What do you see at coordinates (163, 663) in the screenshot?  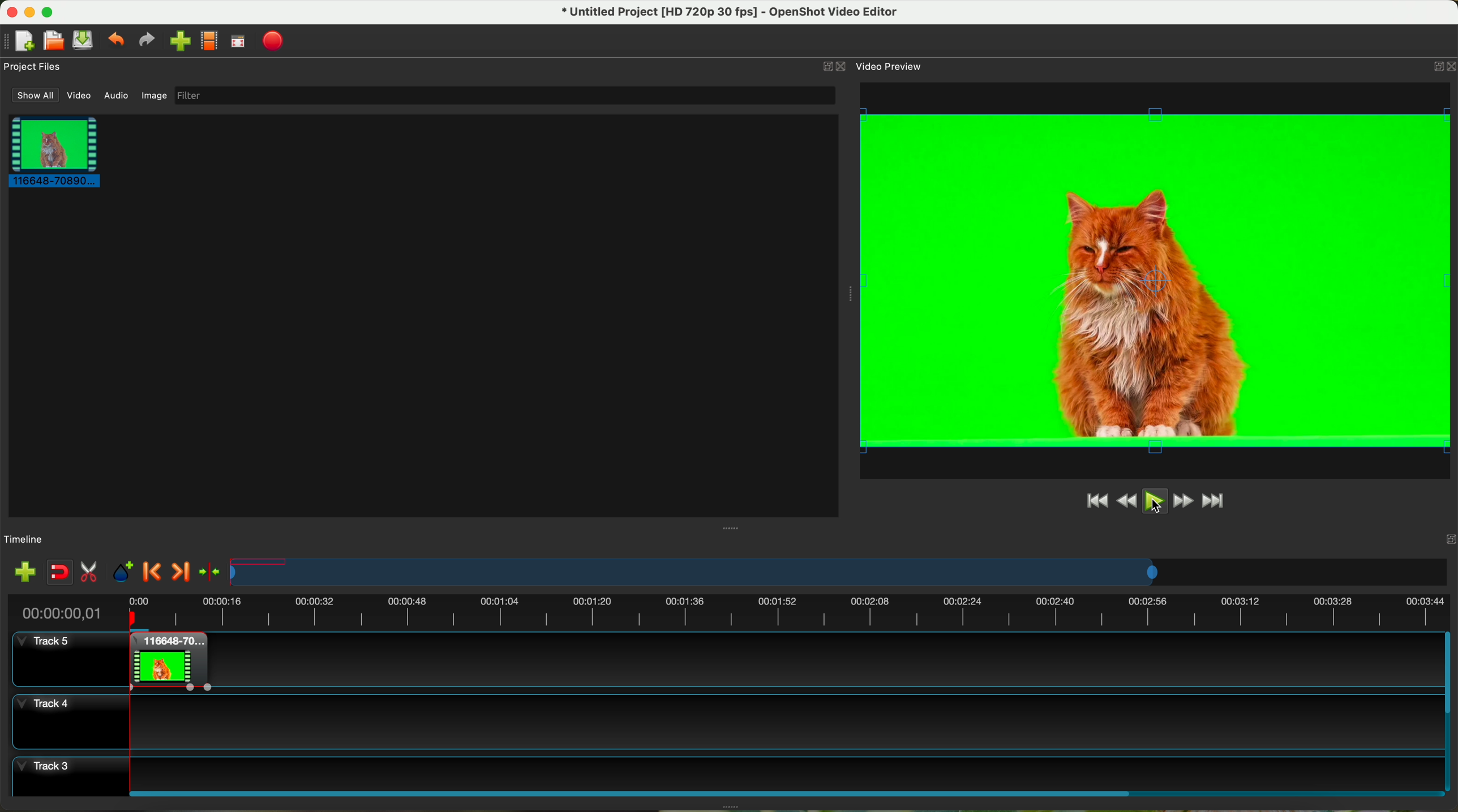 I see `right click` at bounding box center [163, 663].